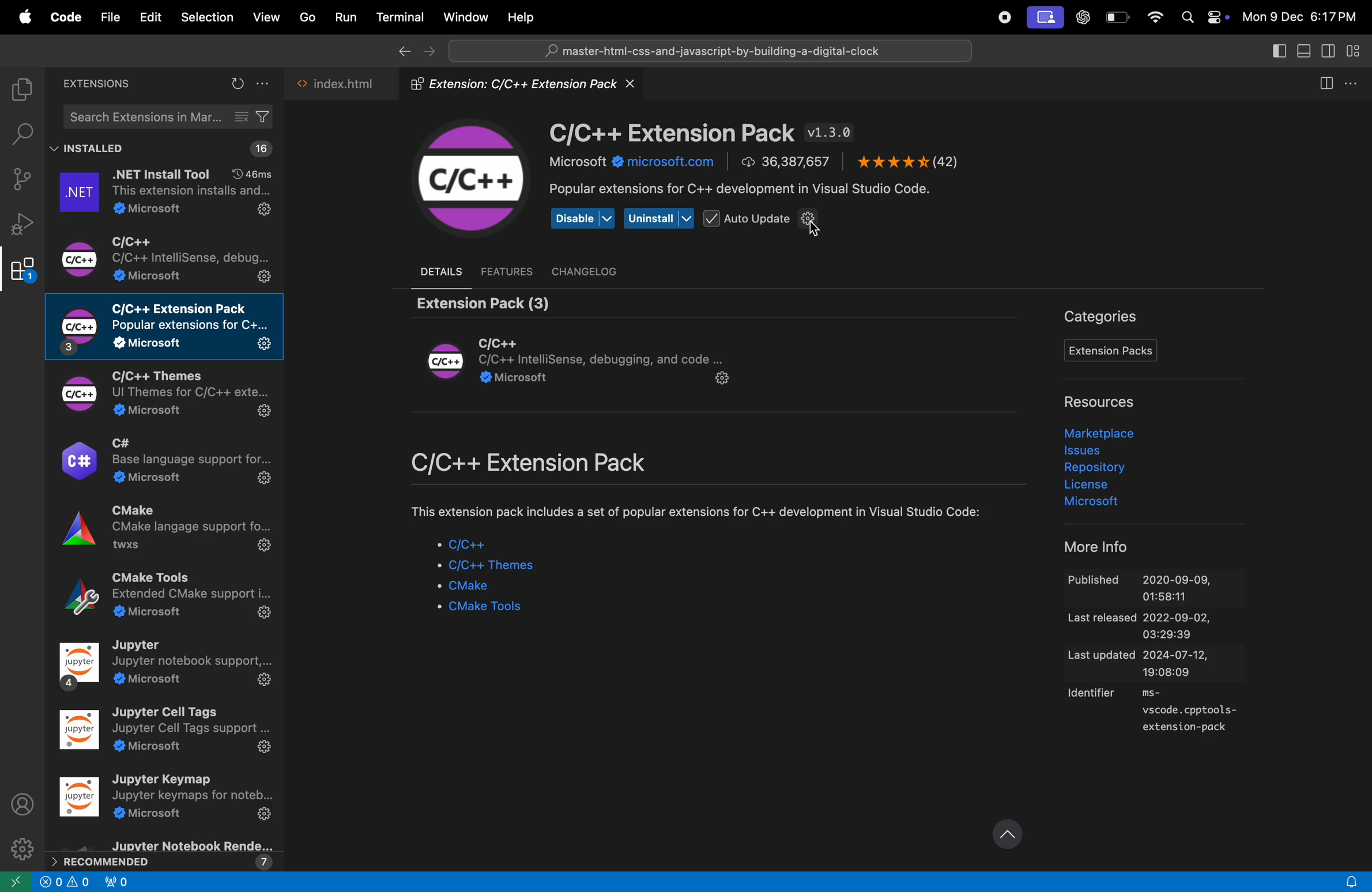  Describe the element at coordinates (469, 177) in the screenshot. I see `C/C++ ` at that location.